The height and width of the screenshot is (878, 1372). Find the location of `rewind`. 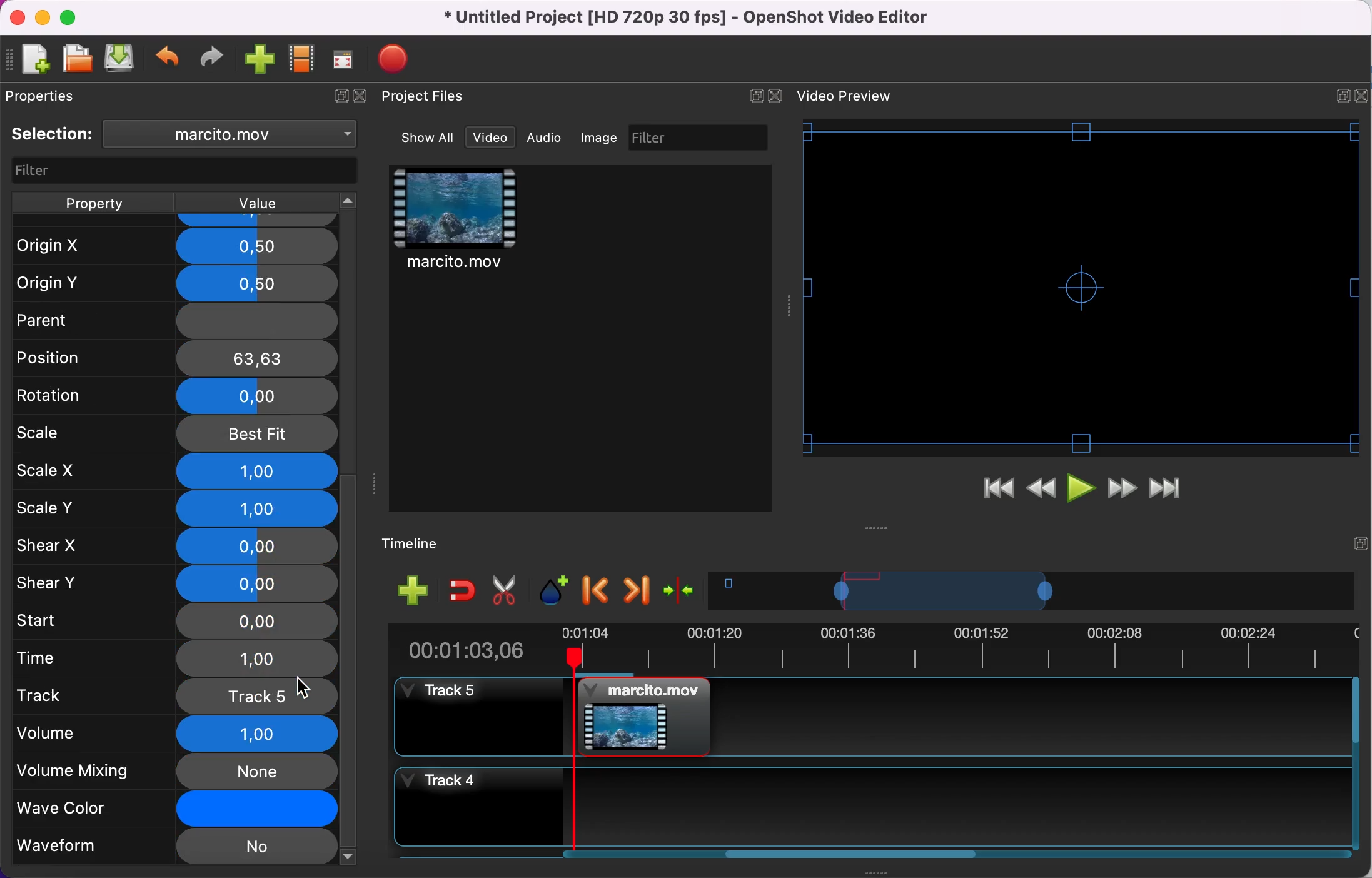

rewind is located at coordinates (1042, 492).